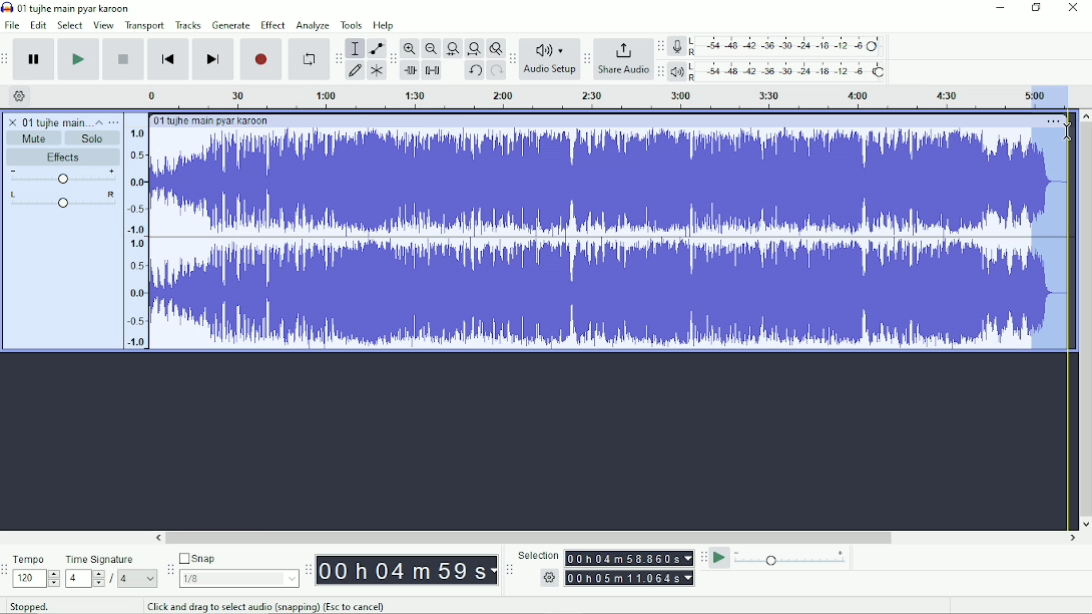 The width and height of the screenshot is (1092, 614). Describe the element at coordinates (794, 558) in the screenshot. I see `Playback speed` at that location.